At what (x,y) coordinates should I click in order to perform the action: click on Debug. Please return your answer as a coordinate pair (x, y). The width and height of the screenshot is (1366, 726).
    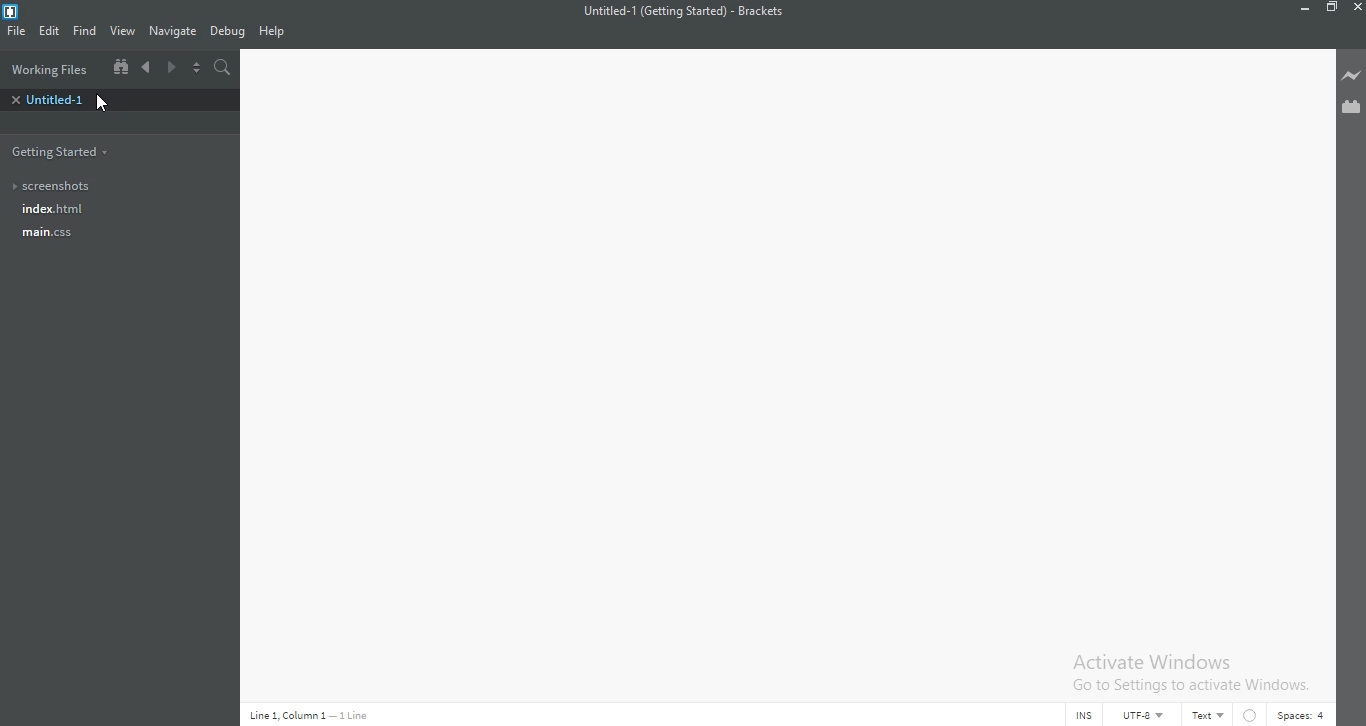
    Looking at the image, I should click on (229, 33).